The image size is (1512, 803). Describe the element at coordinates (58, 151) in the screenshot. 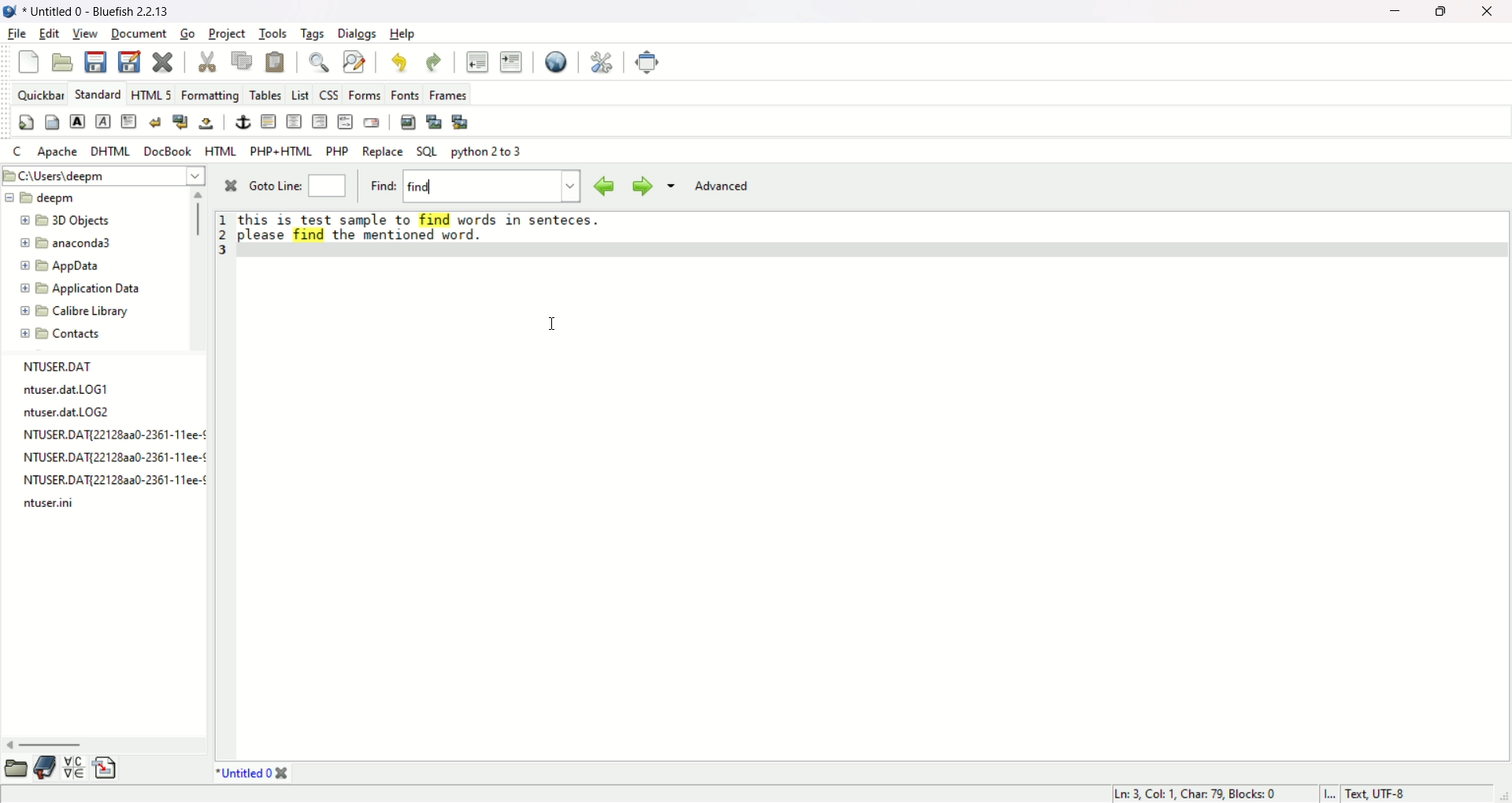

I see `apache` at that location.